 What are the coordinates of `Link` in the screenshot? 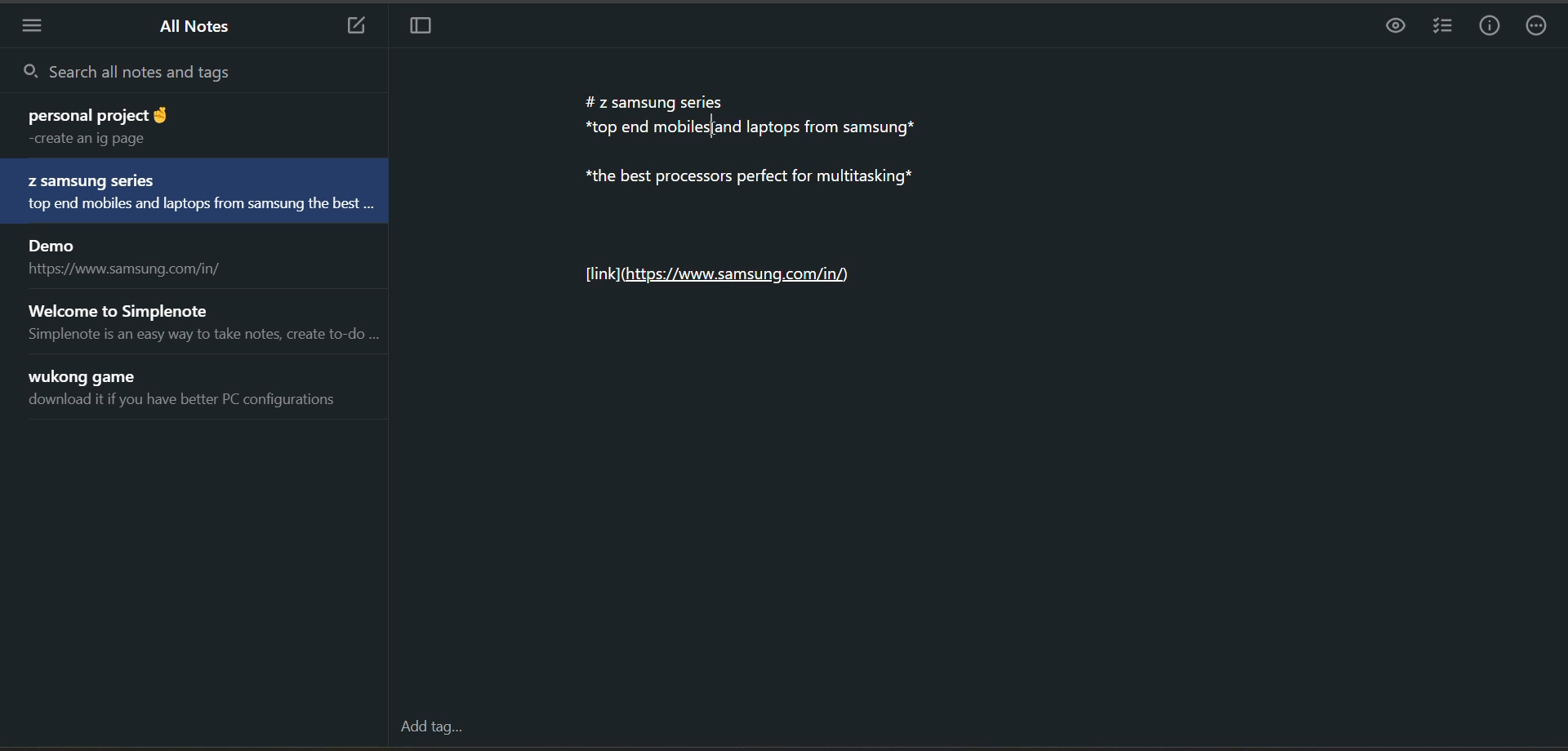 It's located at (721, 270).